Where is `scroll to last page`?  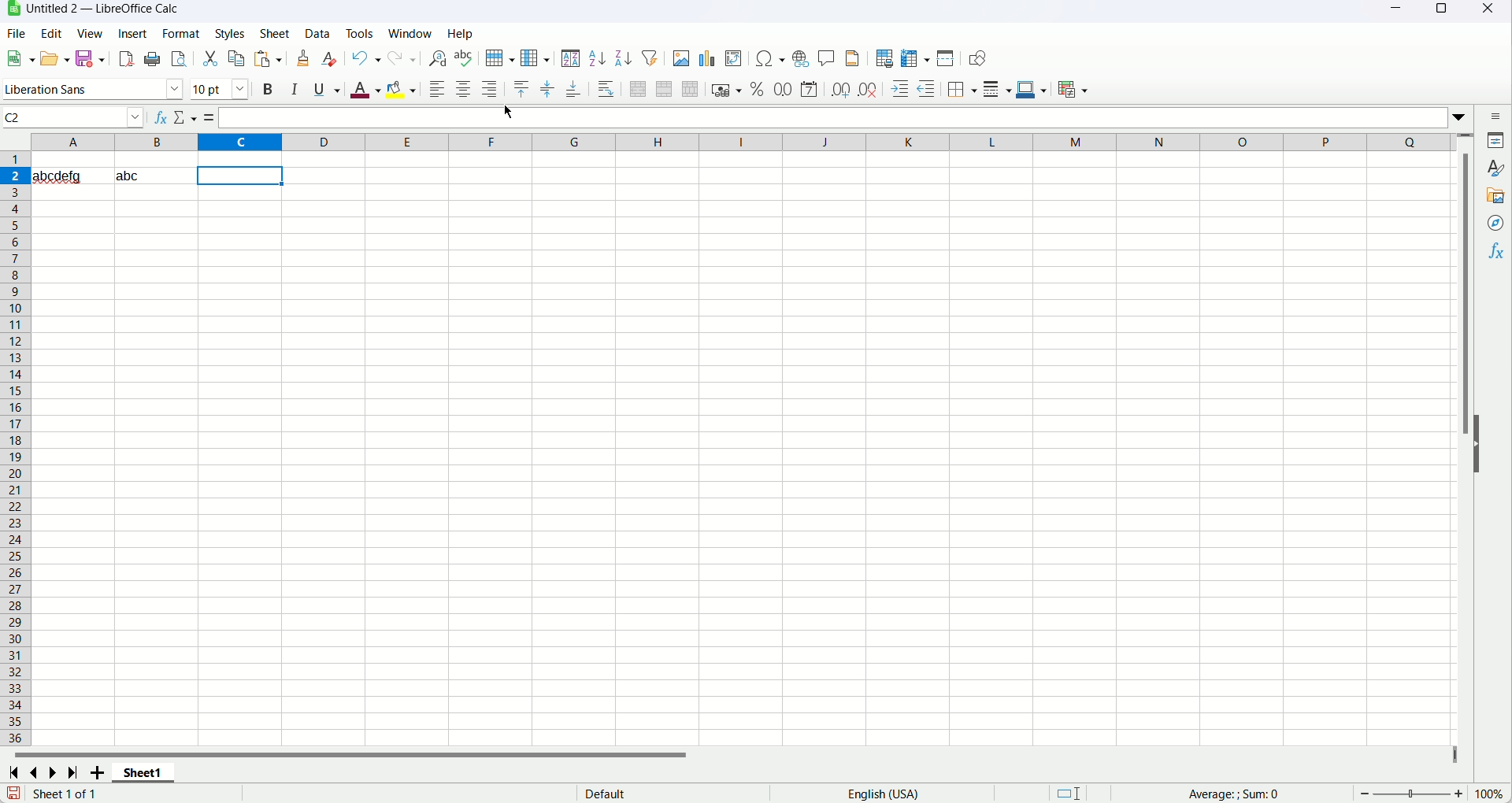
scroll to last page is located at coordinates (72, 771).